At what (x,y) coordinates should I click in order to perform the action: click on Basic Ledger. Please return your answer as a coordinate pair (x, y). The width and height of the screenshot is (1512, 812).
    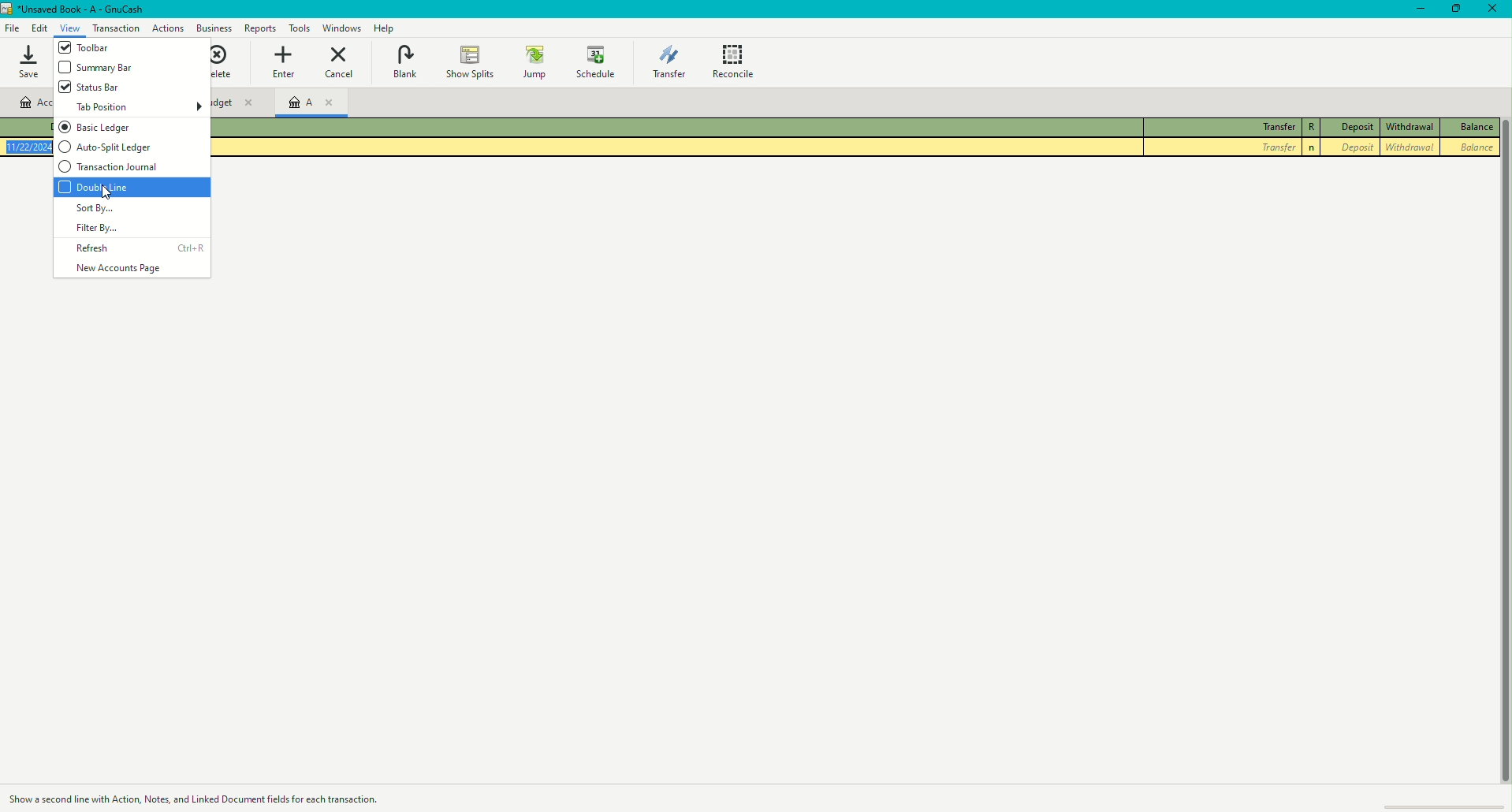
    Looking at the image, I should click on (132, 125).